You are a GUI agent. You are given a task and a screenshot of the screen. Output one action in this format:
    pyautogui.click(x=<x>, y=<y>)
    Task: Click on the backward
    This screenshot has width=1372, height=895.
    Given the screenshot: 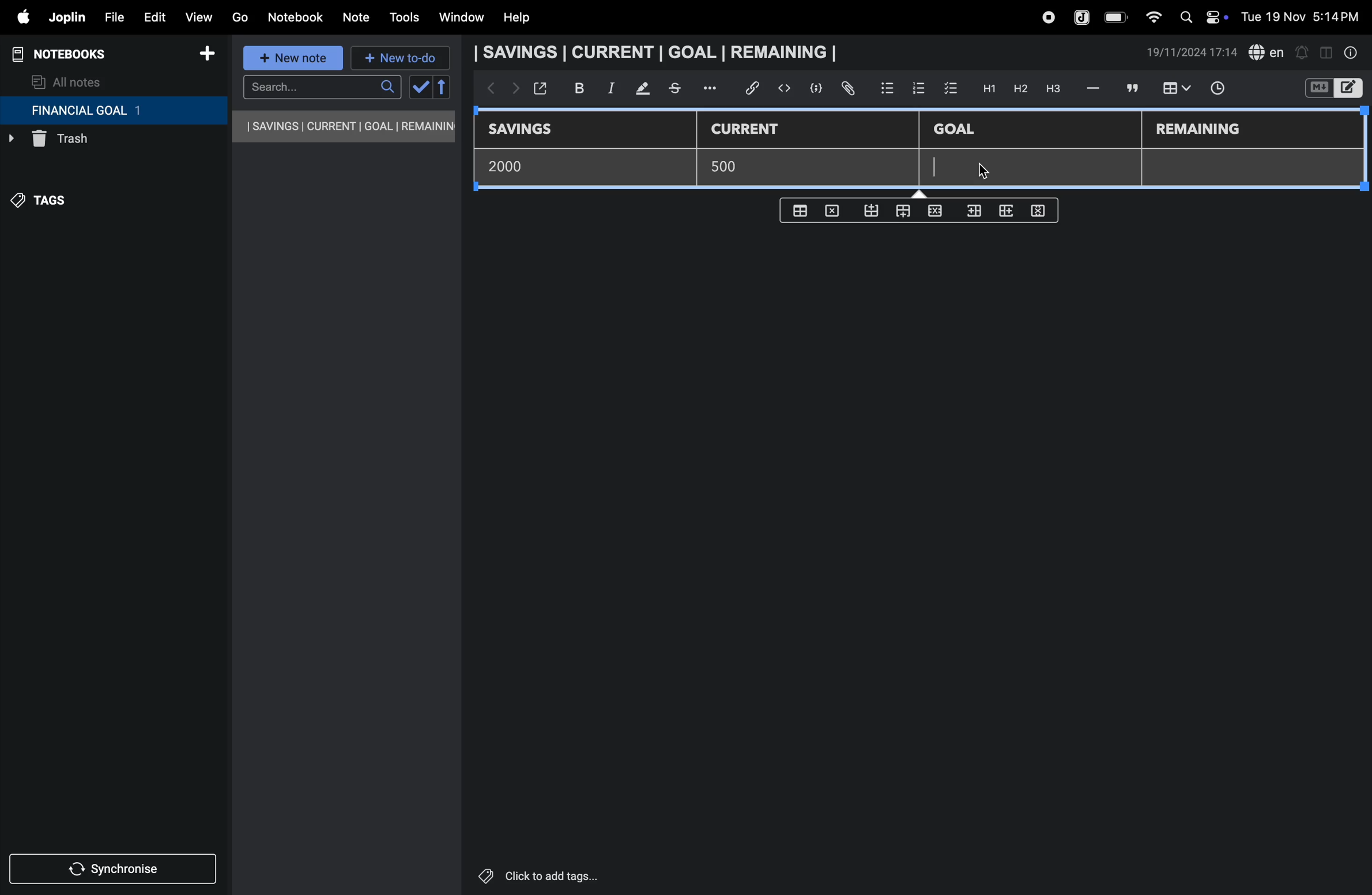 What is the action you would take?
    pyautogui.click(x=487, y=89)
    